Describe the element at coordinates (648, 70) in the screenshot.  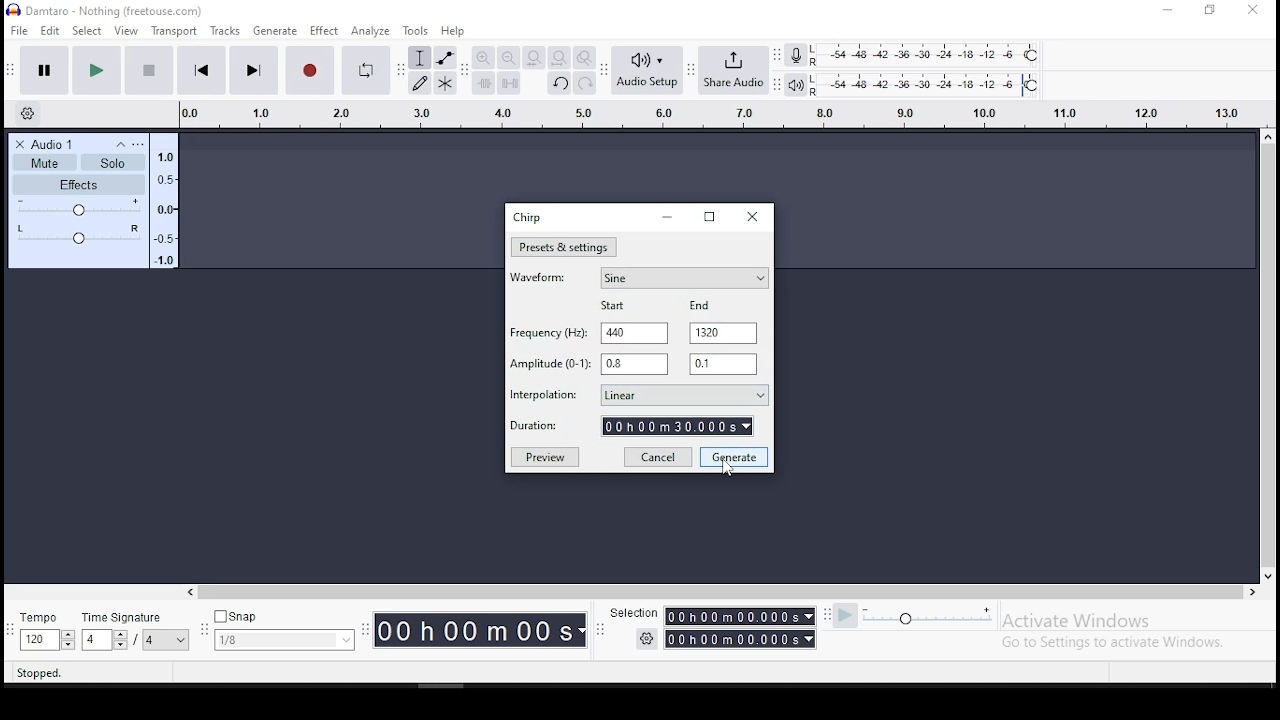
I see `audio setup` at that location.